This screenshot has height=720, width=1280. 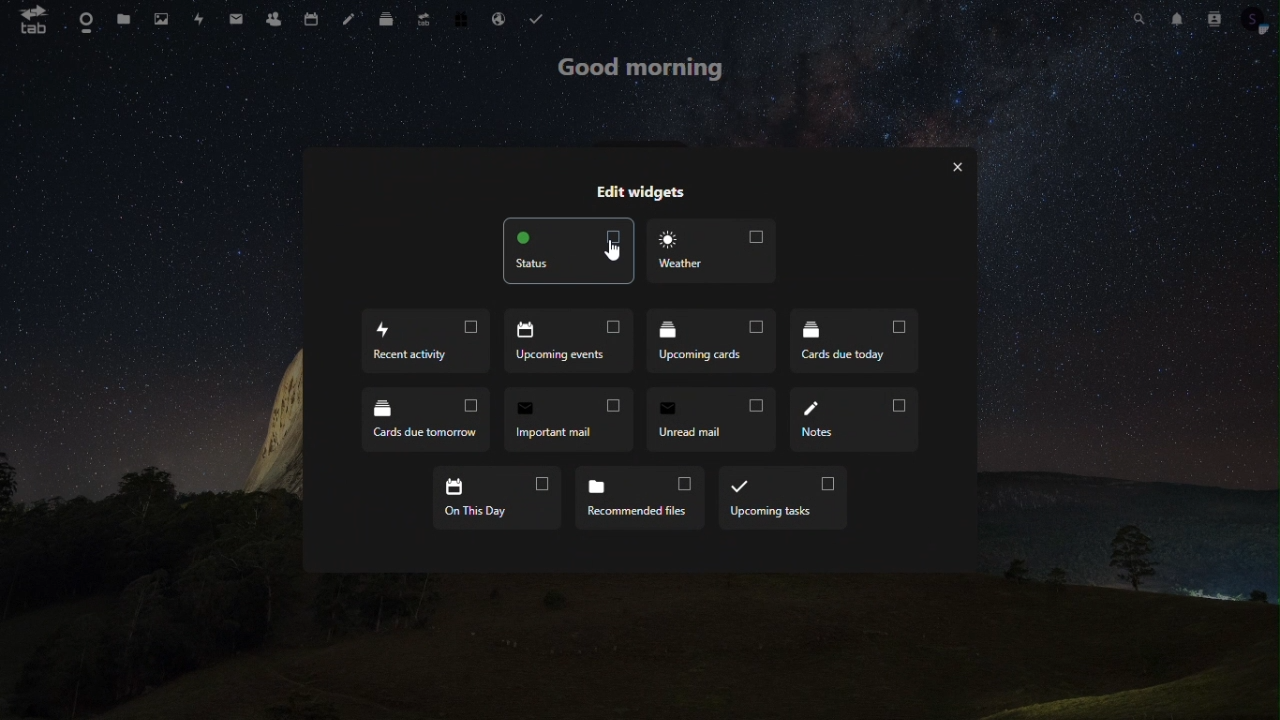 What do you see at coordinates (1258, 18) in the screenshot?
I see `account` at bounding box center [1258, 18].